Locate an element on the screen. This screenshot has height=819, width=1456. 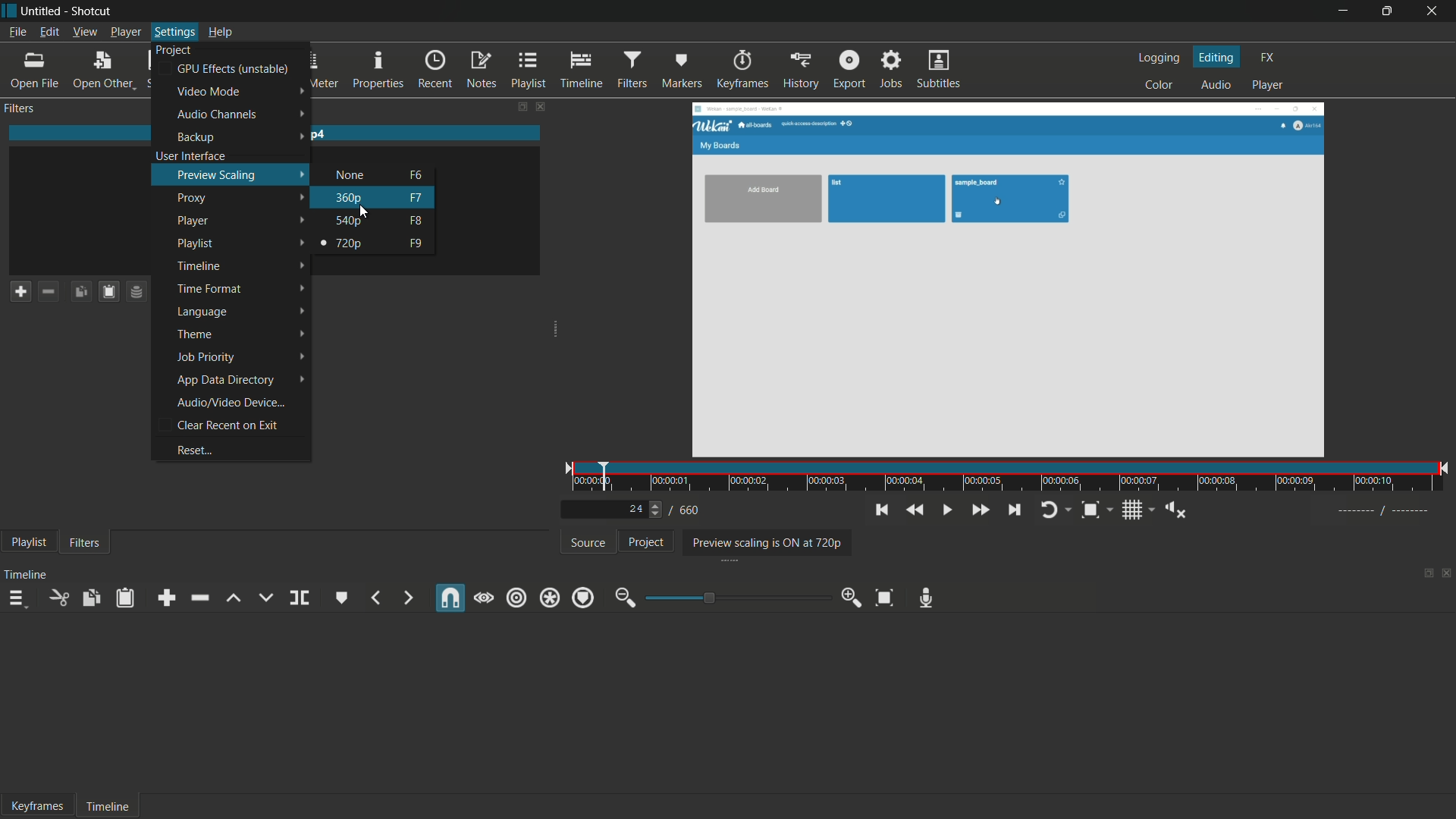
close app is located at coordinates (1434, 11).